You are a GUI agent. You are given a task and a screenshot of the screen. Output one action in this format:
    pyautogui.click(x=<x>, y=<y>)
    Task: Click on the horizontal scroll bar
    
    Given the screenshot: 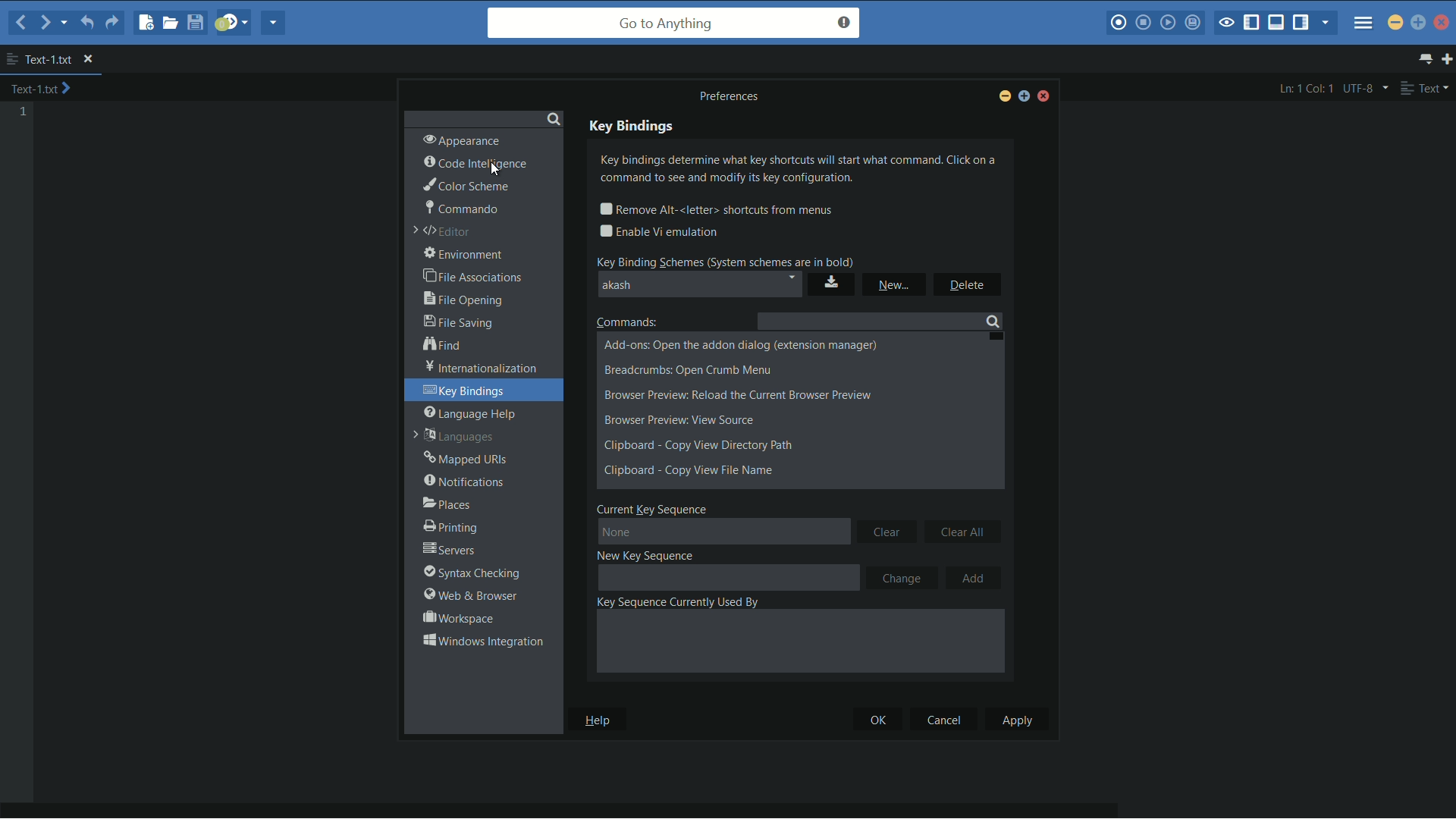 What is the action you would take?
    pyautogui.click(x=576, y=810)
    